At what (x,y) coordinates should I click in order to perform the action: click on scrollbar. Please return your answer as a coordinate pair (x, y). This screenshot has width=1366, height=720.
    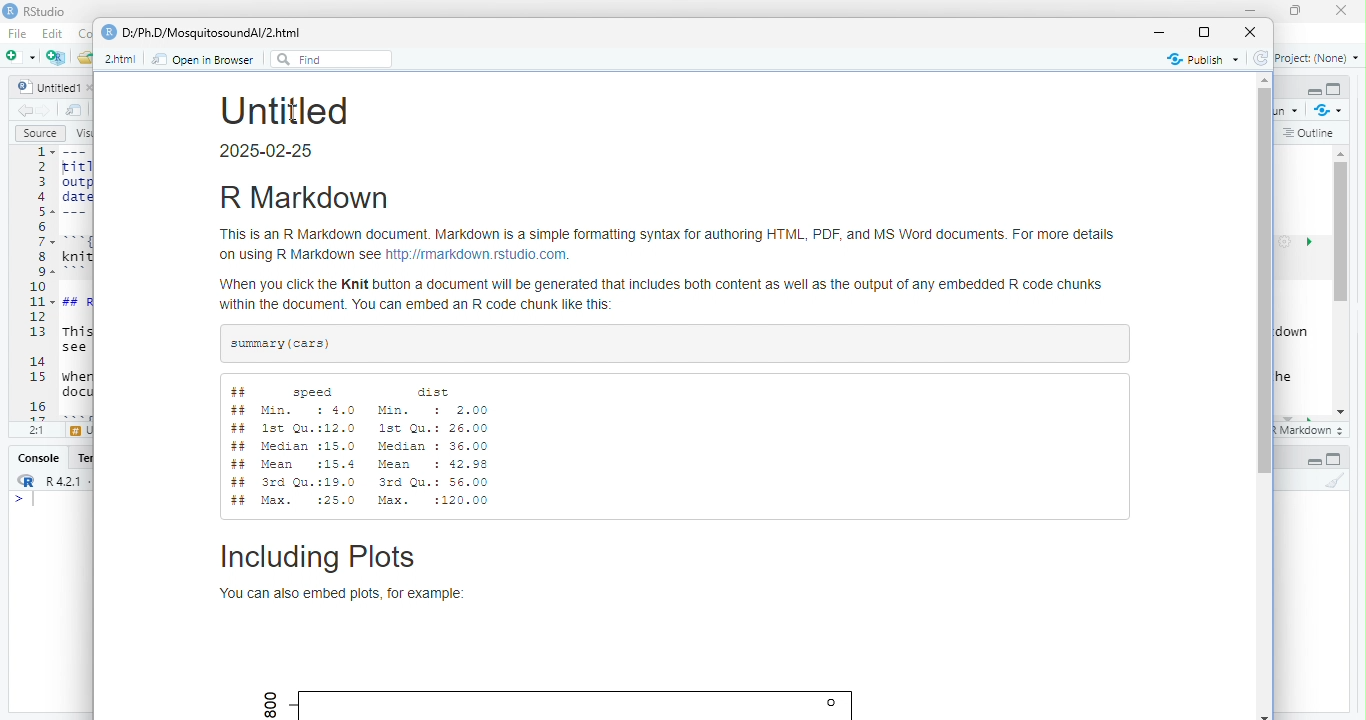
    Looking at the image, I should click on (1342, 282).